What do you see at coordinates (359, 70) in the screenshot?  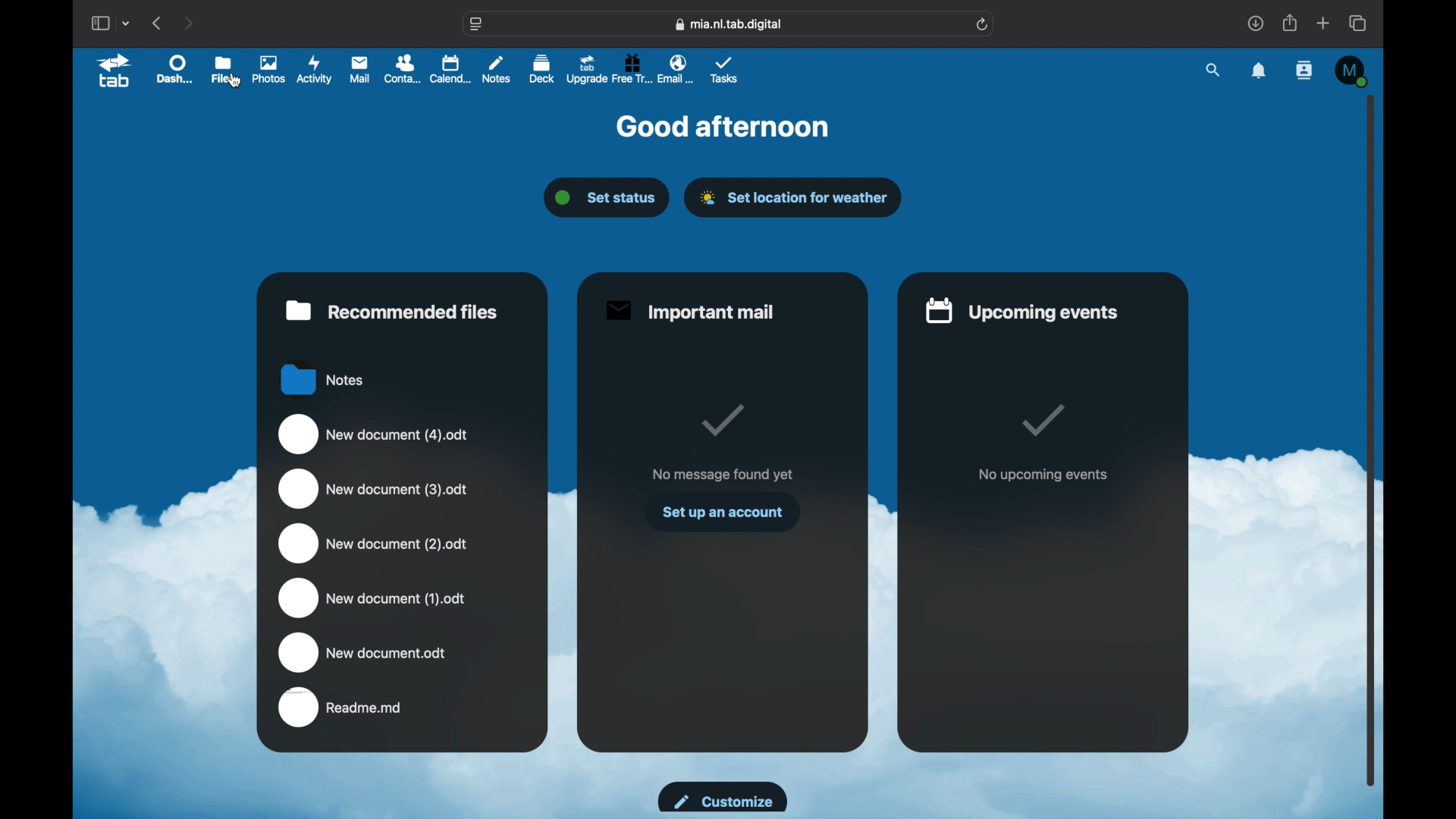 I see `mail` at bounding box center [359, 70].